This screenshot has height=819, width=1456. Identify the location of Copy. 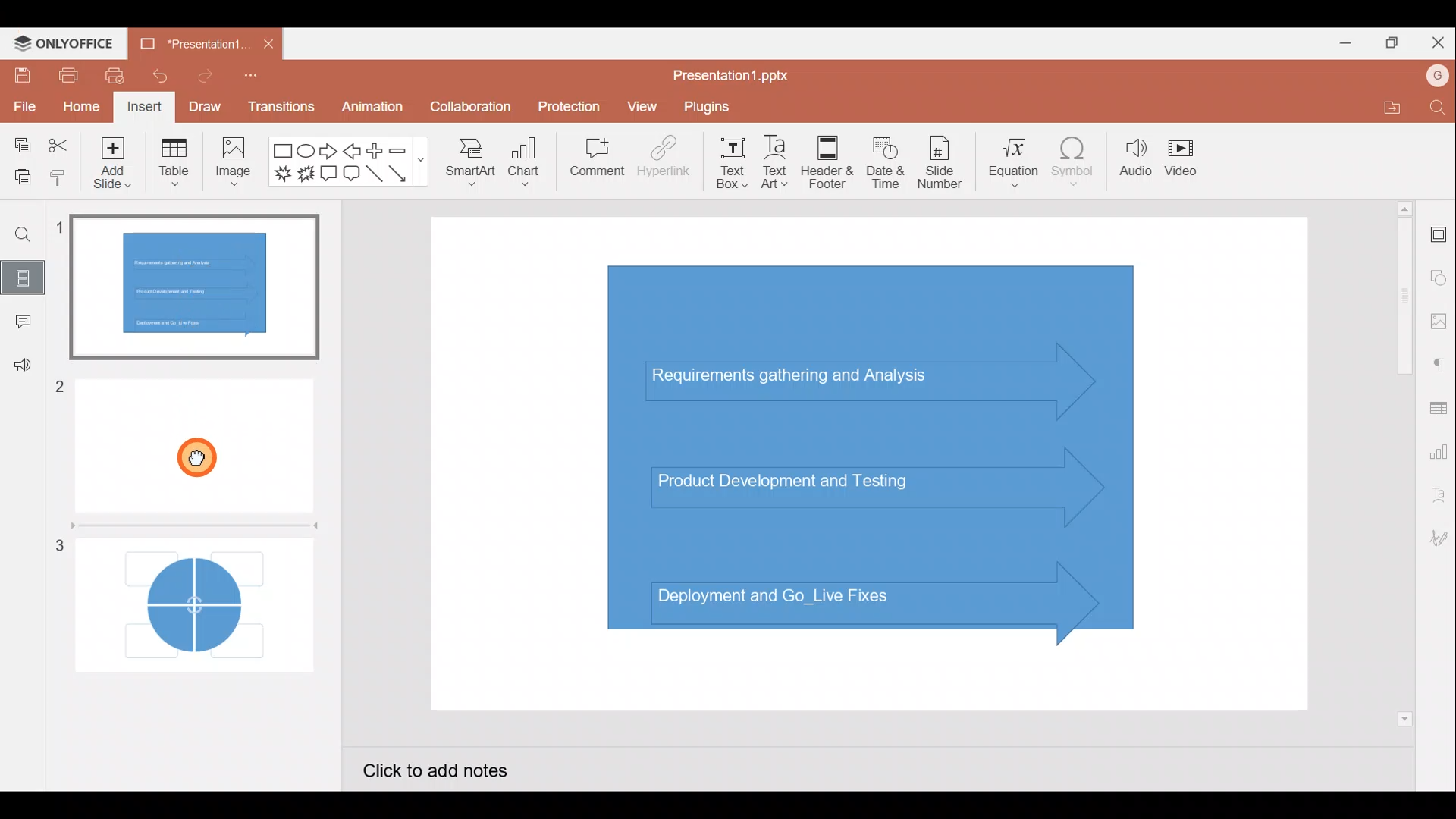
(22, 141).